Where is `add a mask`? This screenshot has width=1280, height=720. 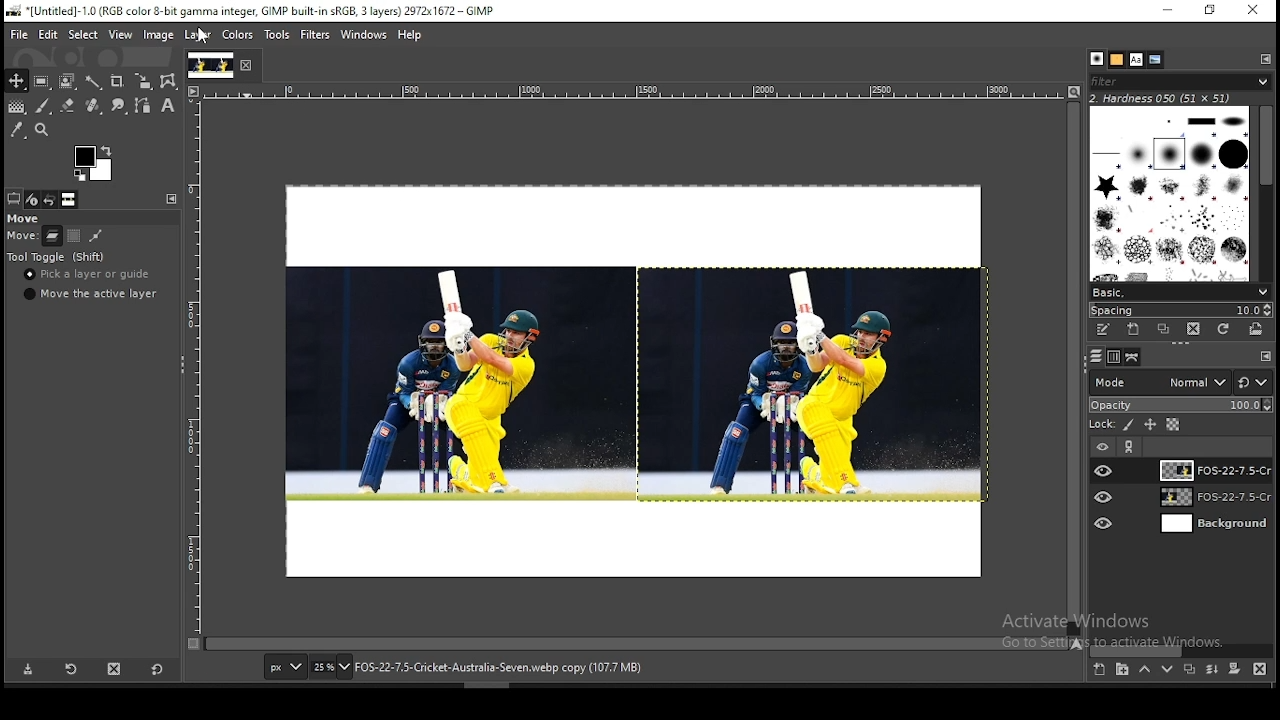
add a mask is located at coordinates (1232, 670).